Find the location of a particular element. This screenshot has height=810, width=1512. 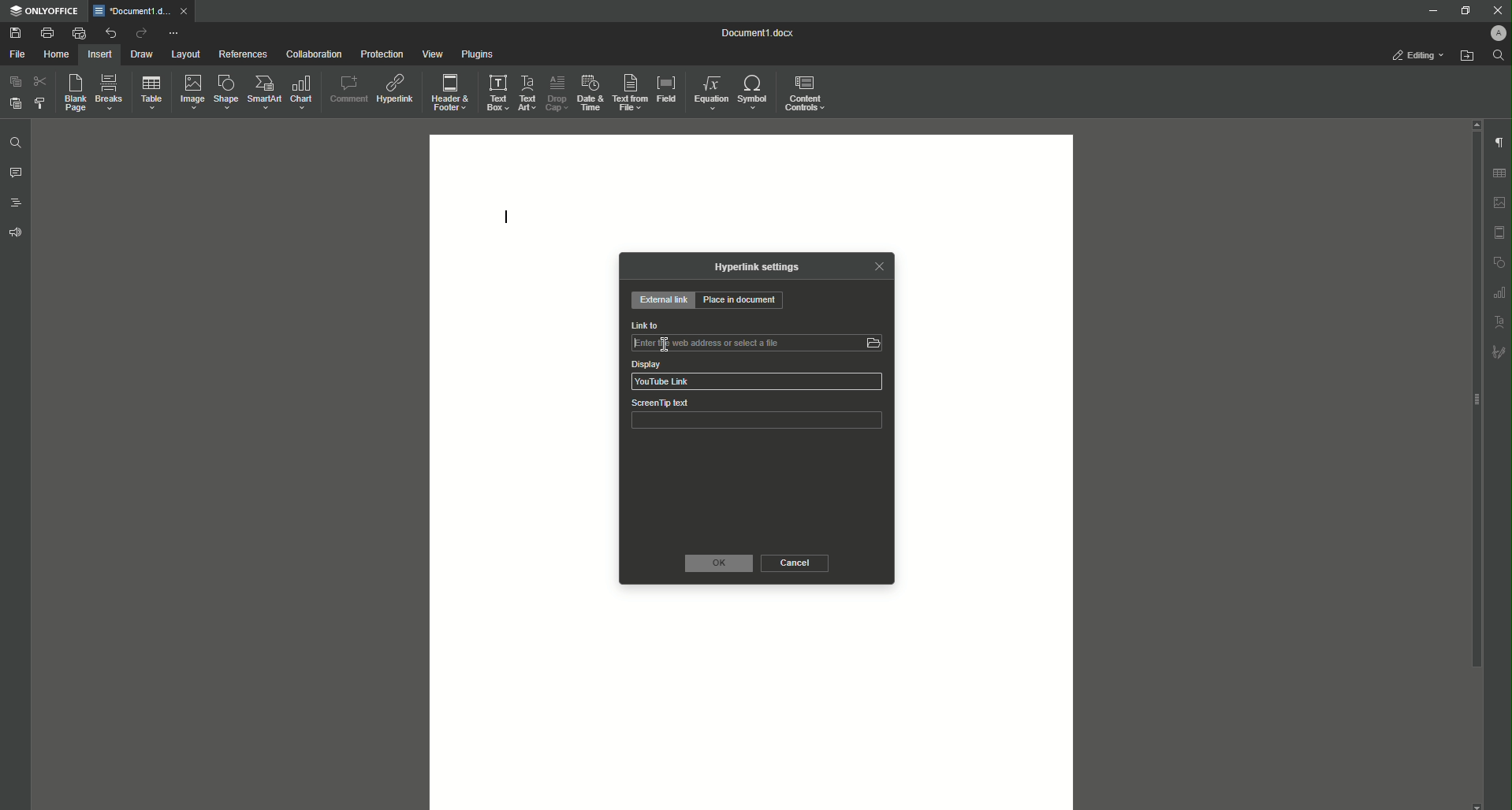

Restore is located at coordinates (1463, 12).